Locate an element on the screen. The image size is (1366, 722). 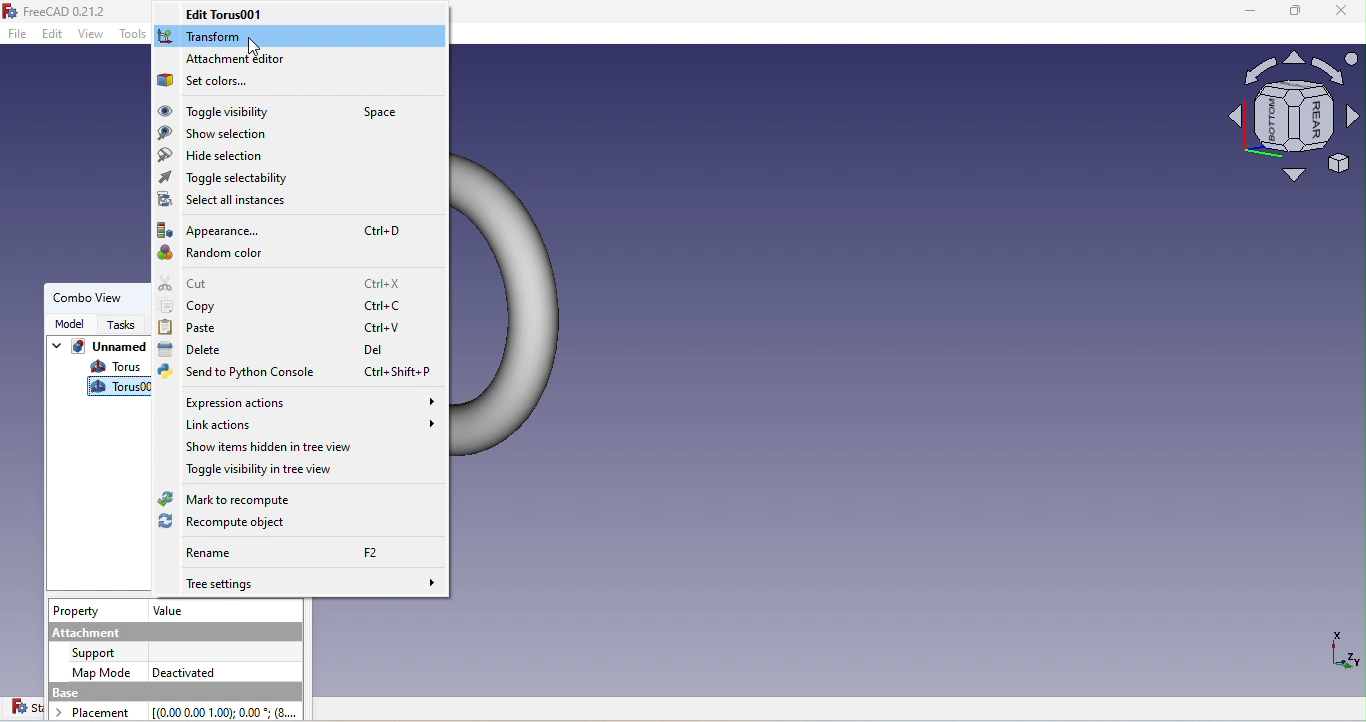
Transform is located at coordinates (203, 36).